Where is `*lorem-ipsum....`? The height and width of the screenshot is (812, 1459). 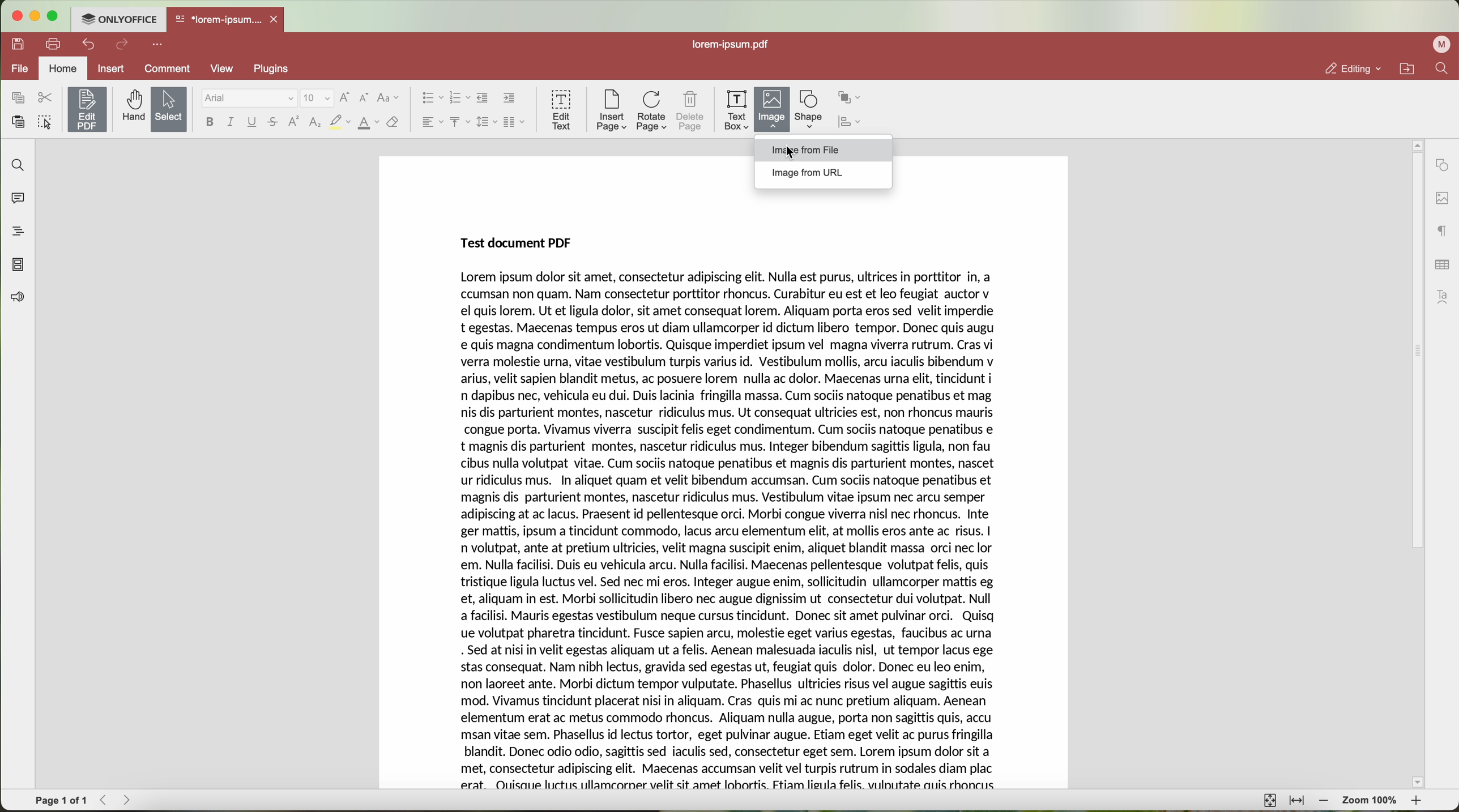 *lorem-ipsum.... is located at coordinates (217, 17).